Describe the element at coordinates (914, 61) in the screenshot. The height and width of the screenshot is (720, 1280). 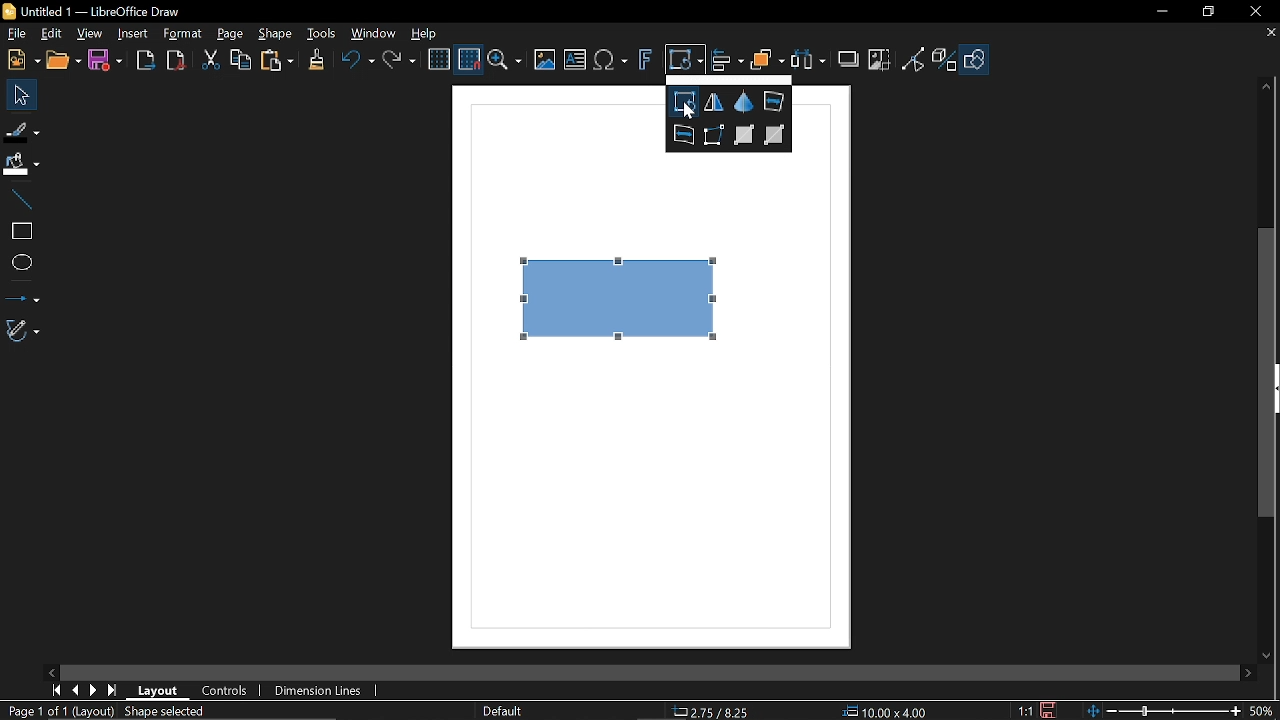
I see `Toggle ` at that location.